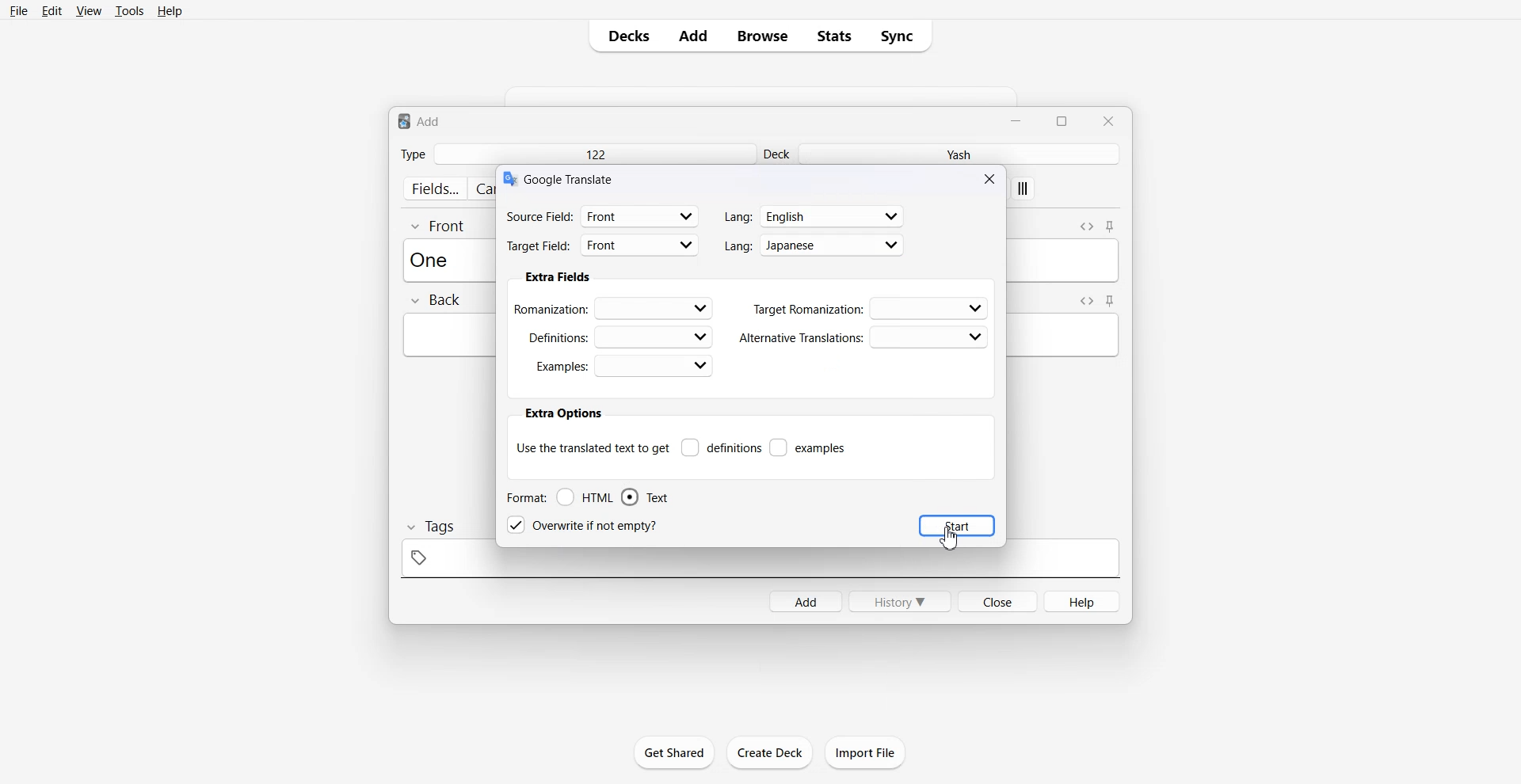  What do you see at coordinates (1018, 120) in the screenshot?
I see `Minimize` at bounding box center [1018, 120].